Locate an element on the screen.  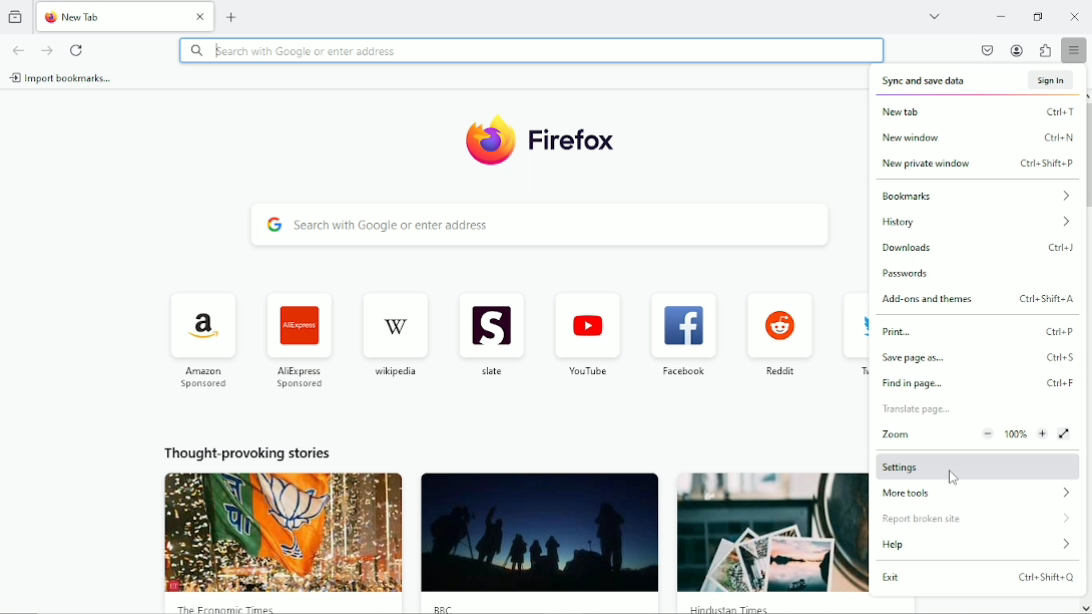
Wikipedia is located at coordinates (397, 332).